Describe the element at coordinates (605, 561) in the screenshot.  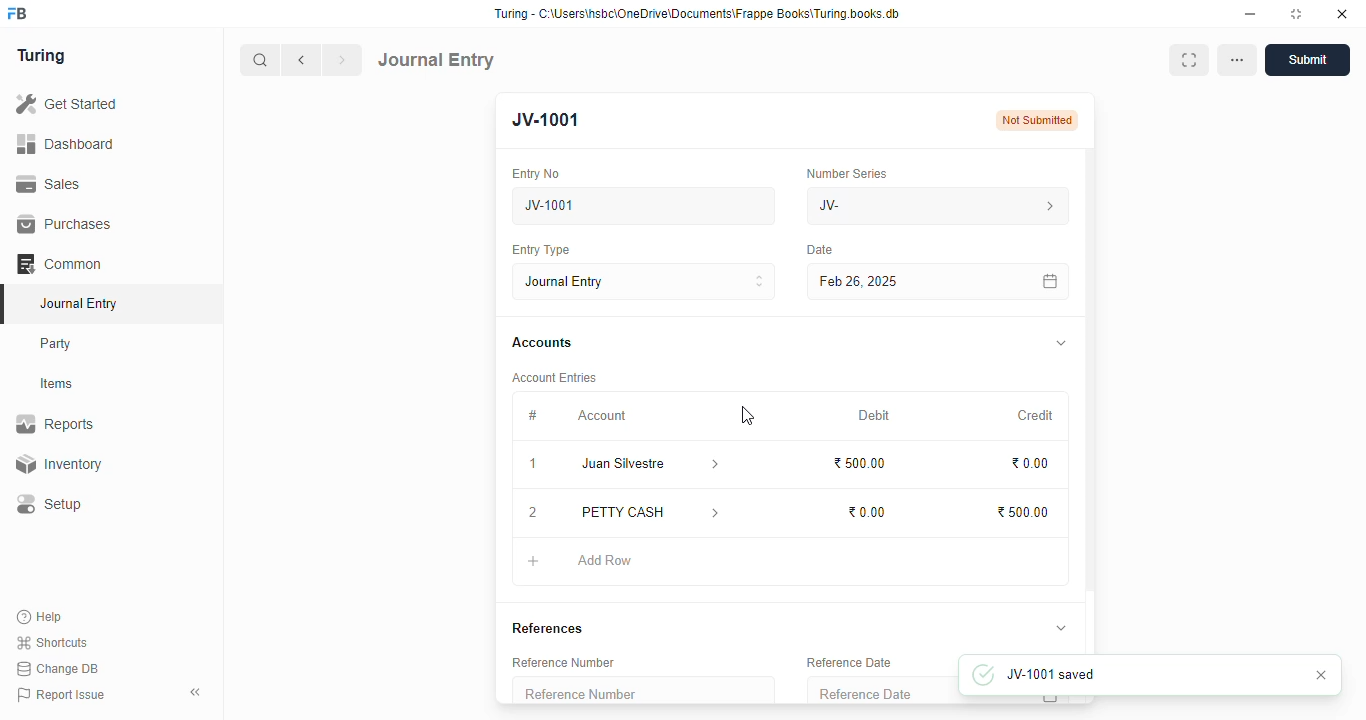
I see `add row` at that location.